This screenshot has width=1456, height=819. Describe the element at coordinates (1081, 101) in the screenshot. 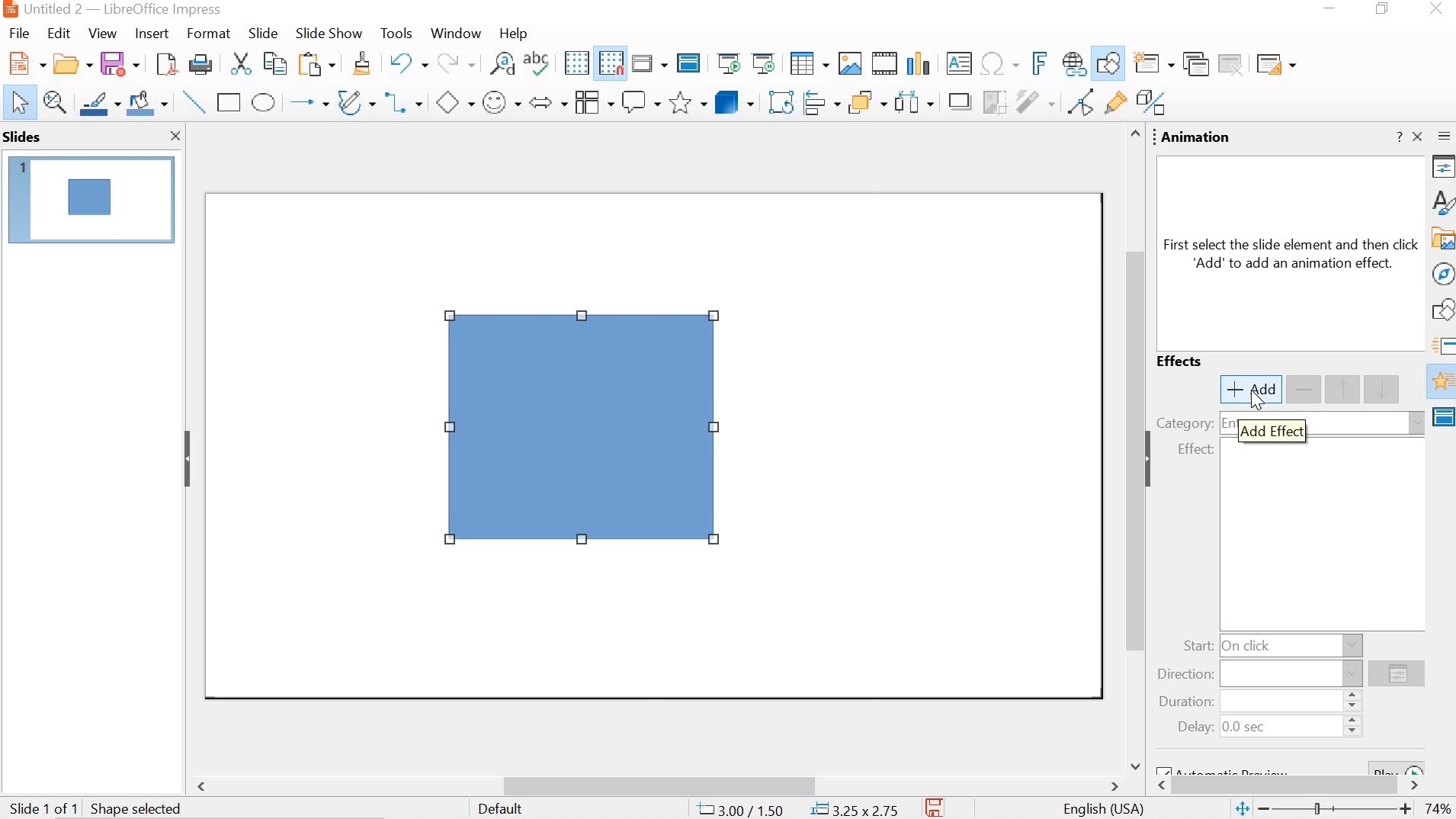

I see `toggle point edit mode` at that location.